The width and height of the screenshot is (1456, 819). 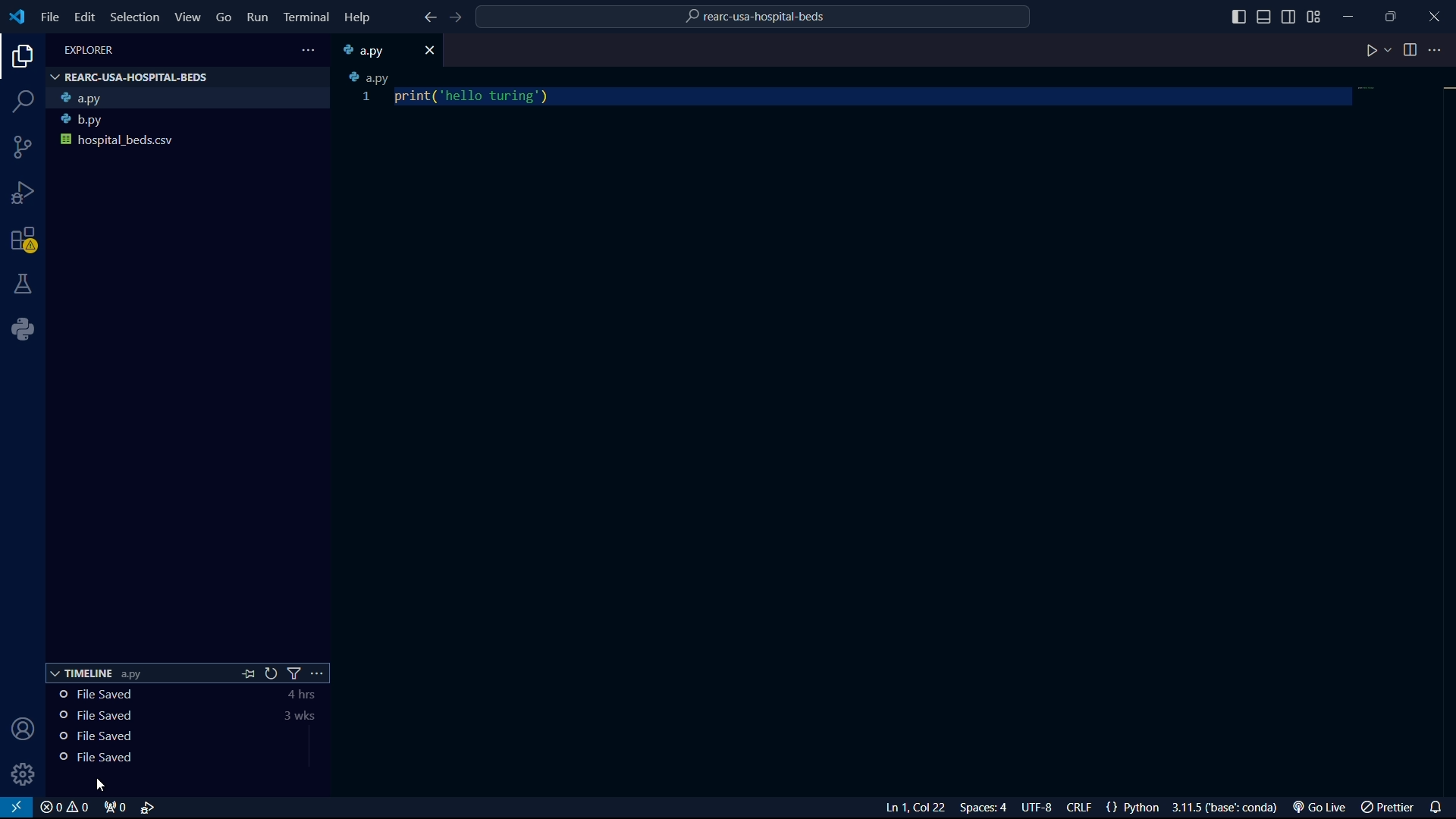 I want to click on go live extension, so click(x=1317, y=808).